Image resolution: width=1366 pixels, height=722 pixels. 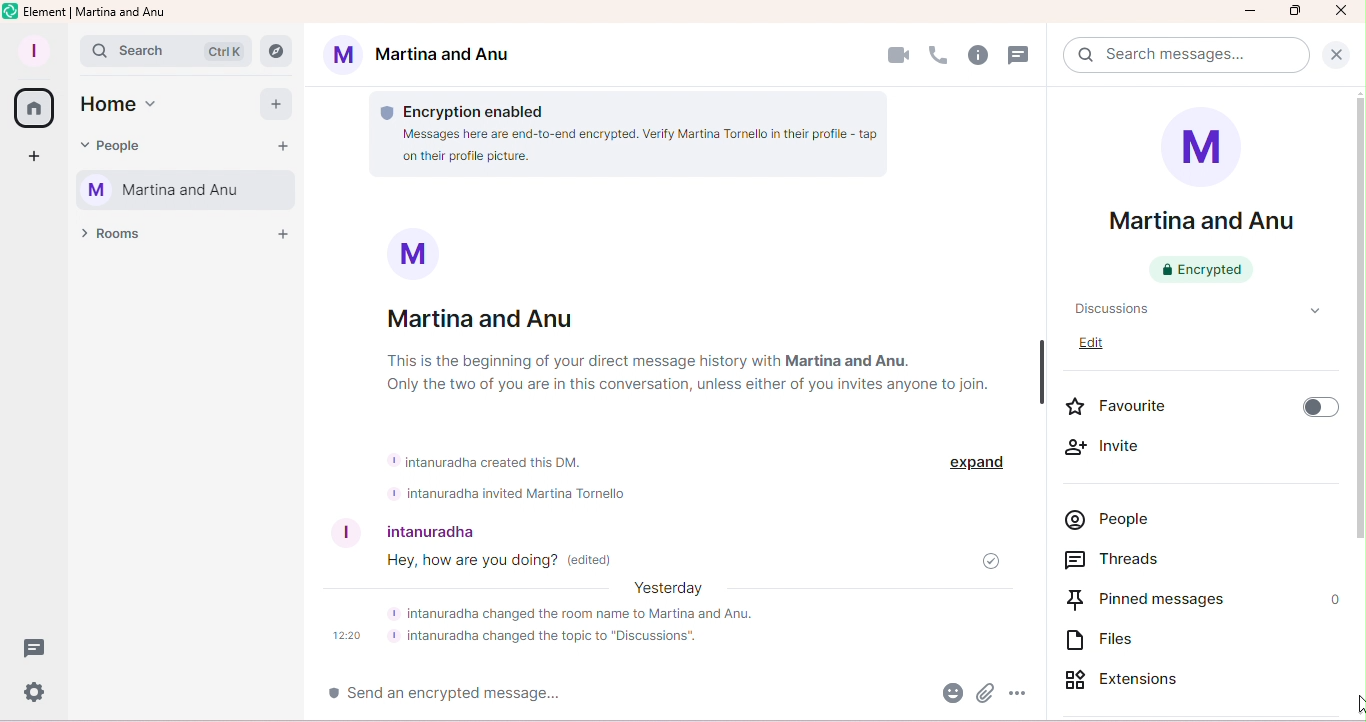 I want to click on Pinned messages, so click(x=1154, y=600).